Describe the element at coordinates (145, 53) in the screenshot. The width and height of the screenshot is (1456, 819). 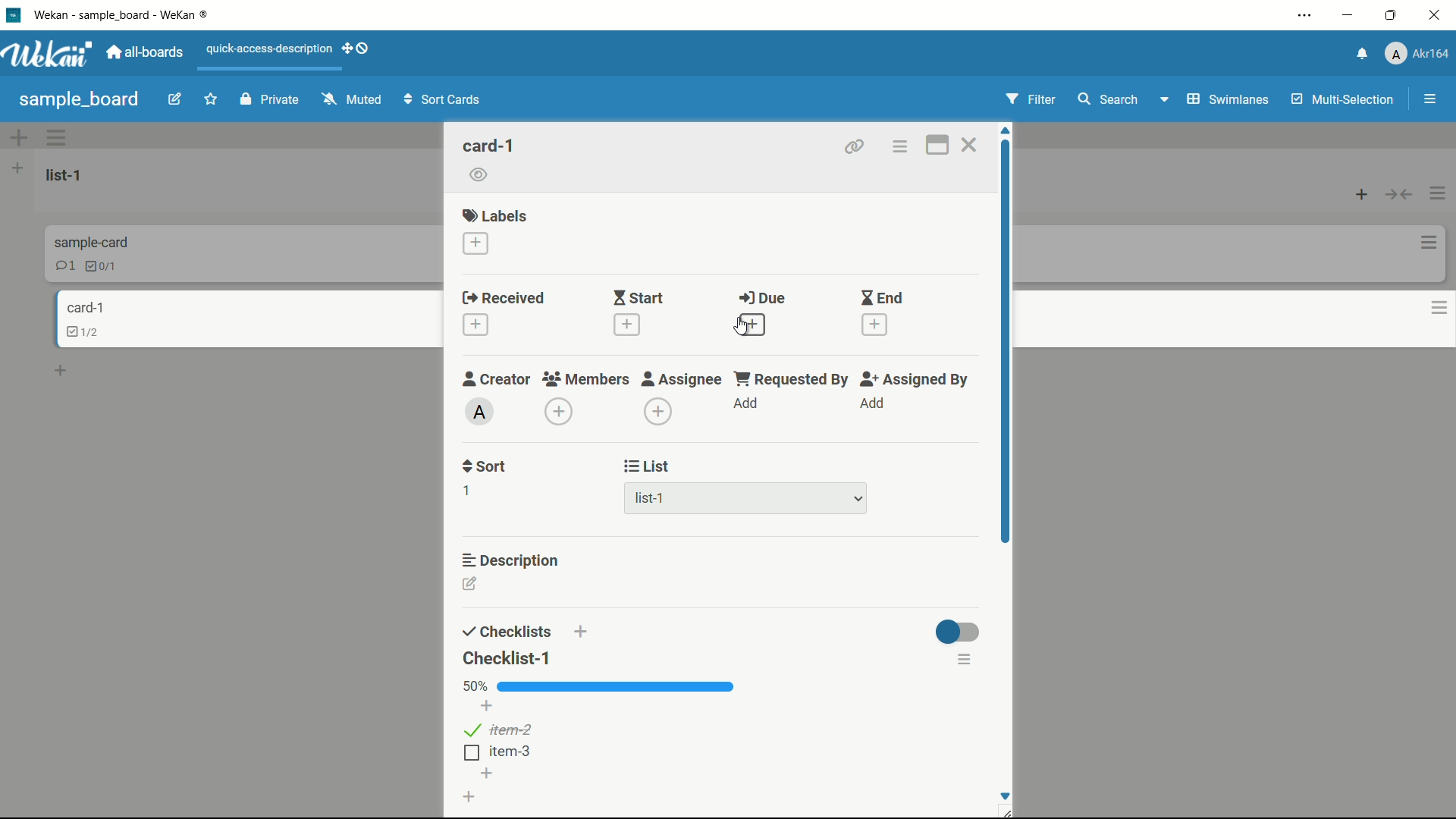
I see `all boards` at that location.